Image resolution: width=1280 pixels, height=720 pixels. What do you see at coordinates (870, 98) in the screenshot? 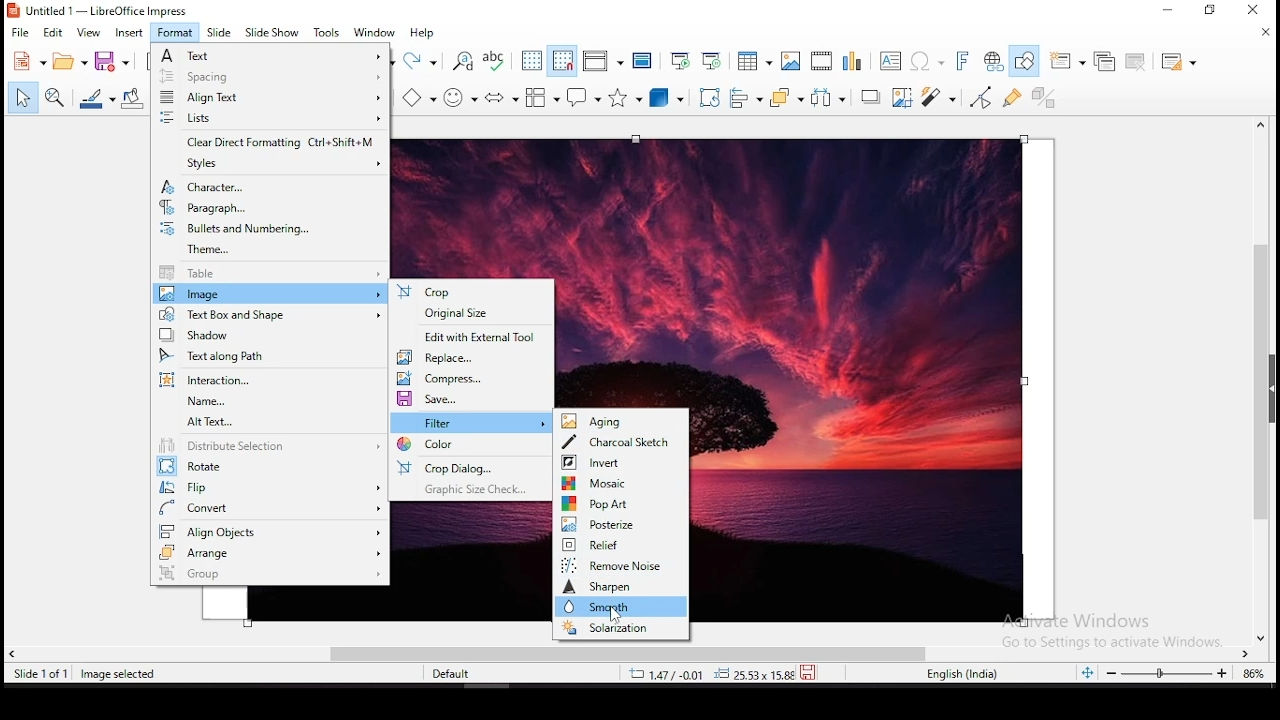
I see `Shadow` at bounding box center [870, 98].